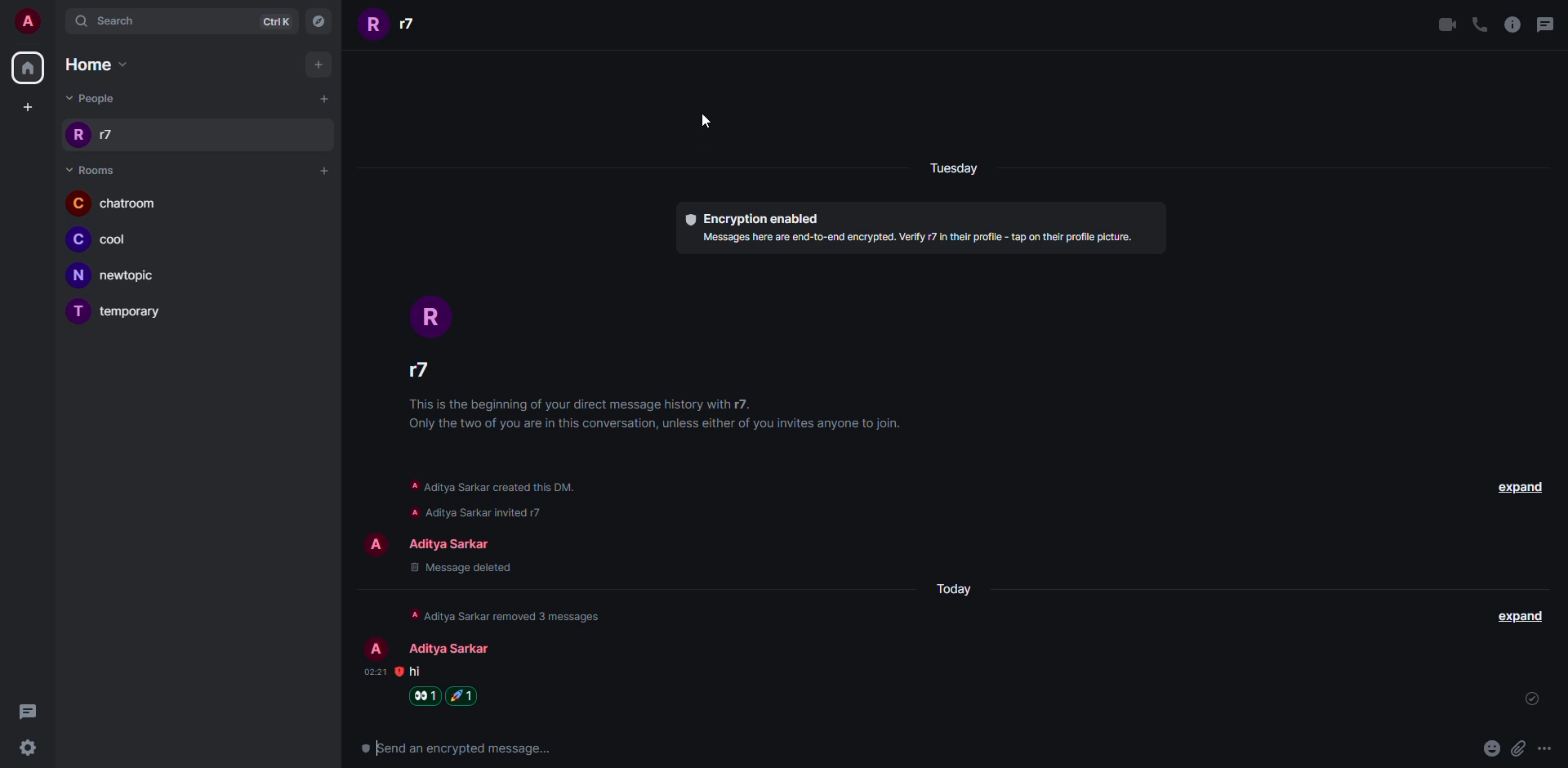 Image resolution: width=1568 pixels, height=768 pixels. I want to click on info, so click(478, 512).